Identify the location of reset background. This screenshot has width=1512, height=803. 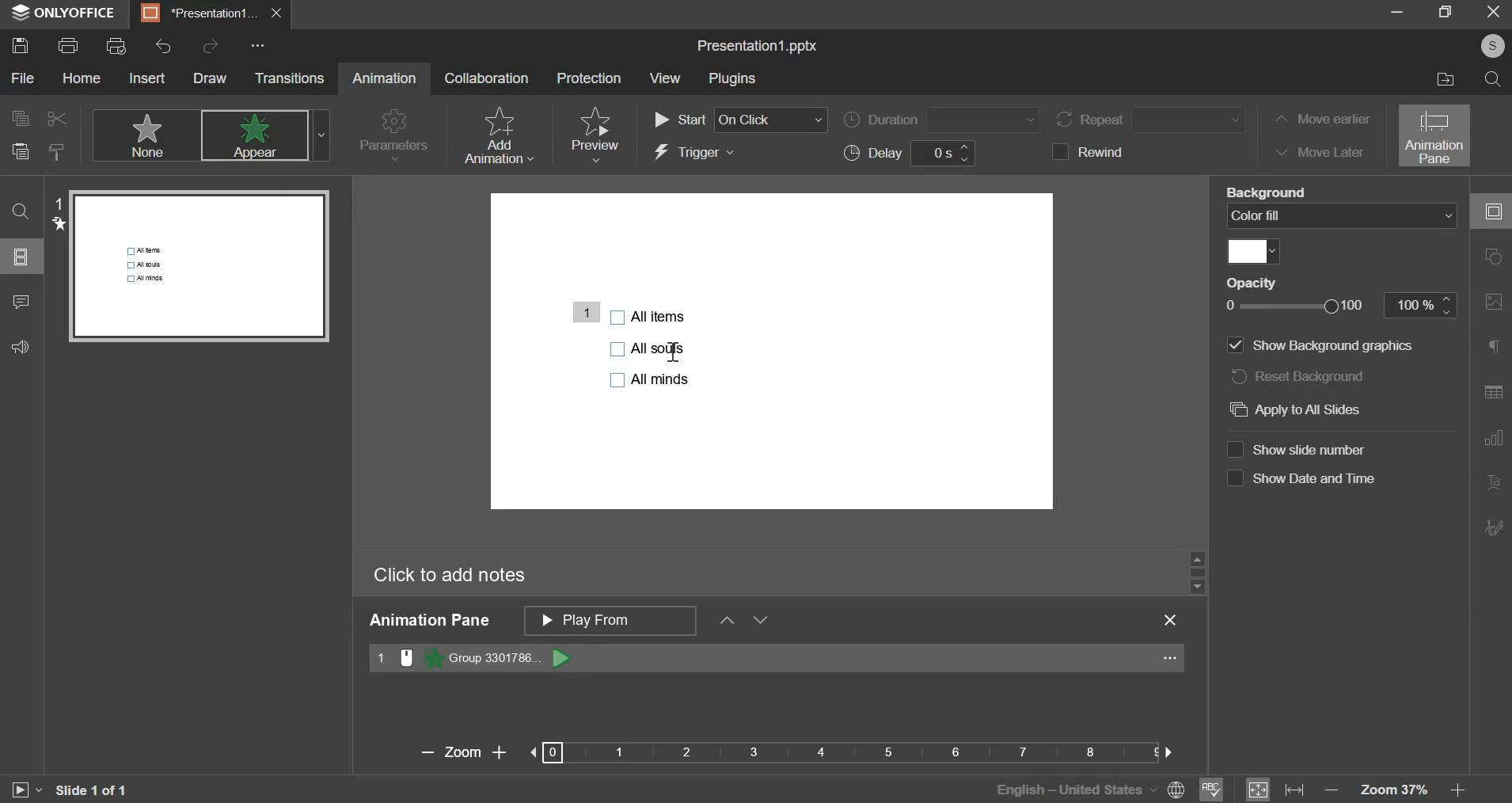
(1309, 377).